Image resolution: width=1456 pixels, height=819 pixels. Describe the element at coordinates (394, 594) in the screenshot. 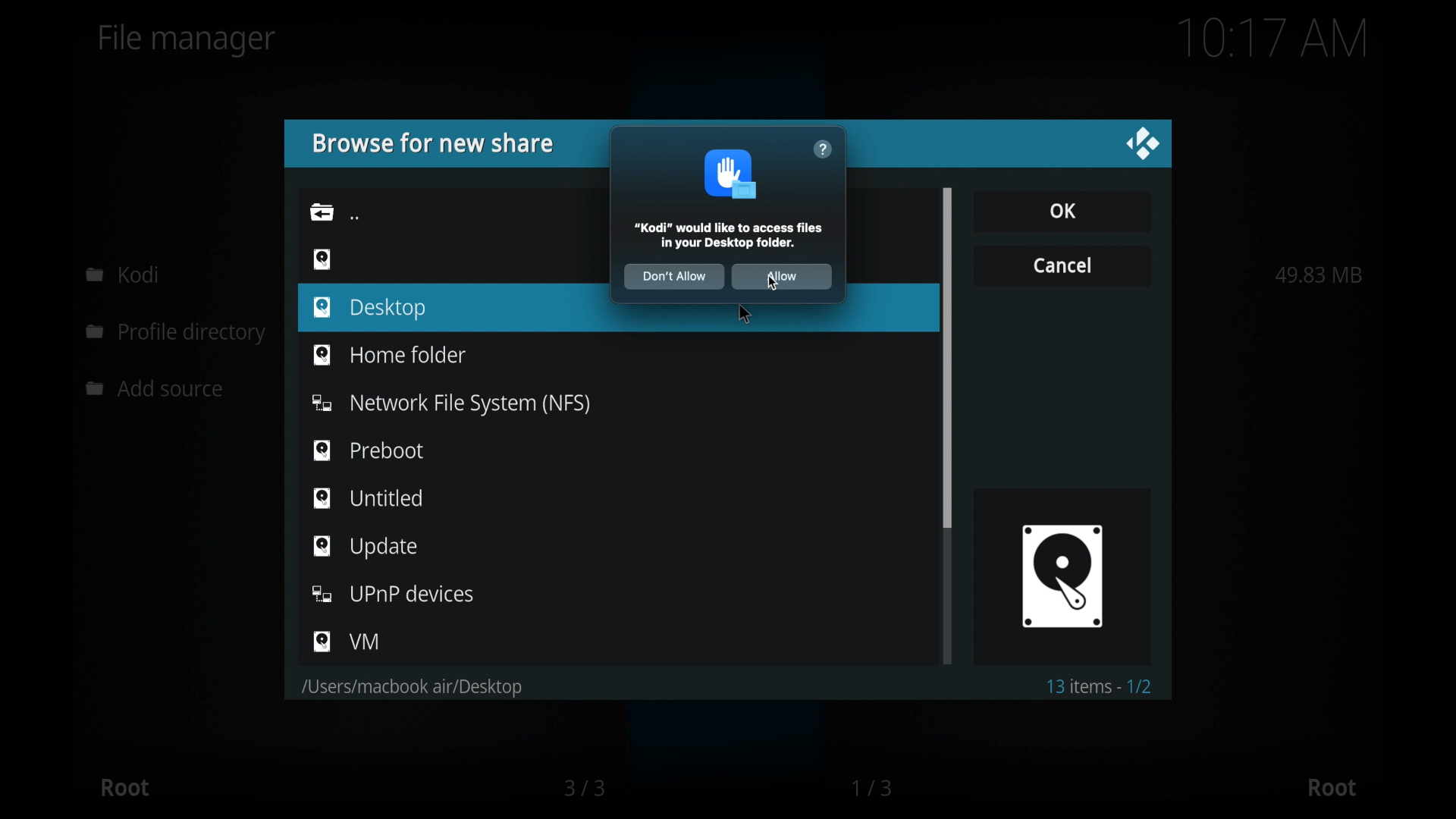

I see `UPnP devices` at that location.